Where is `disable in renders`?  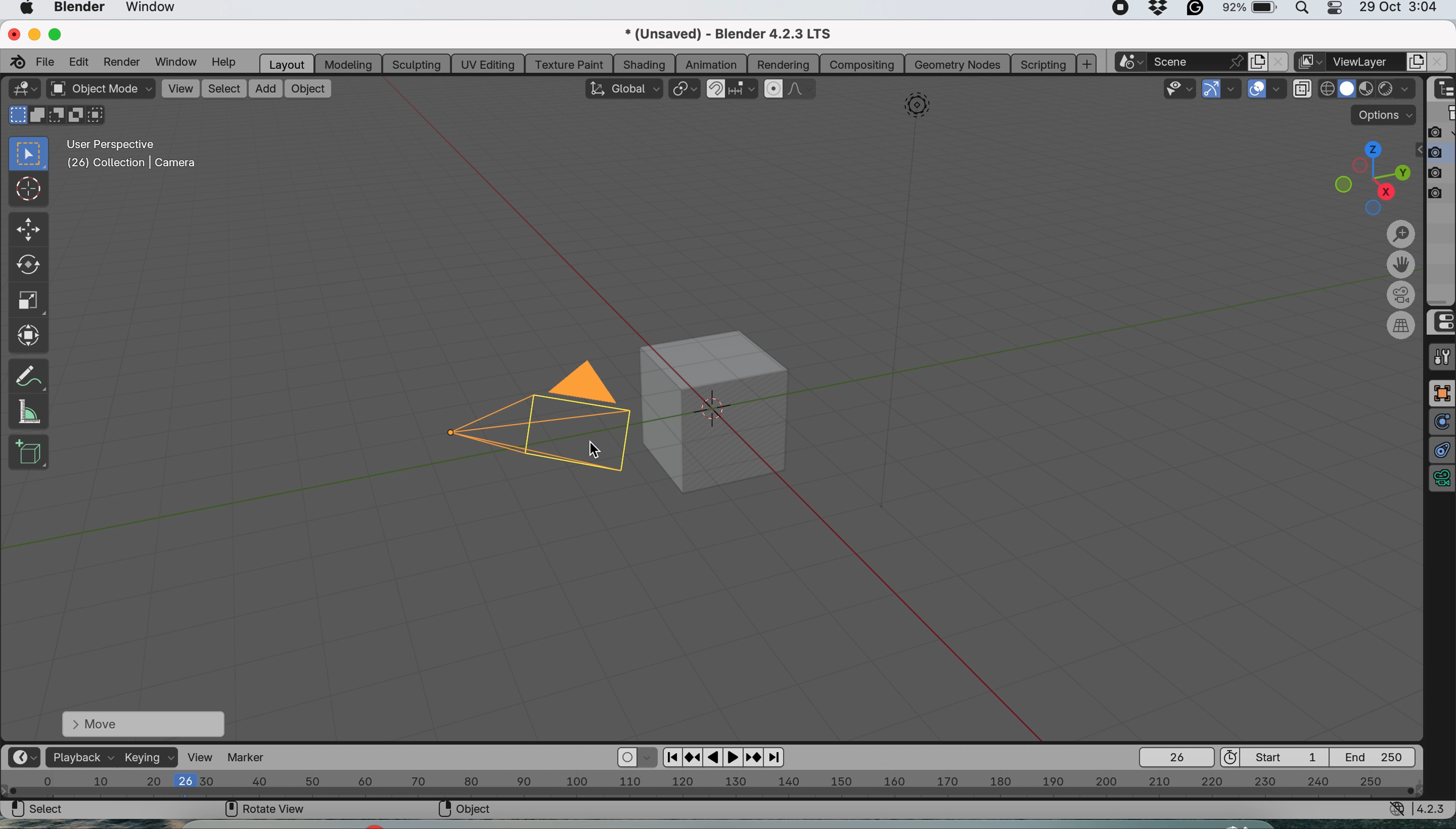 disable in renders is located at coordinates (1441, 172).